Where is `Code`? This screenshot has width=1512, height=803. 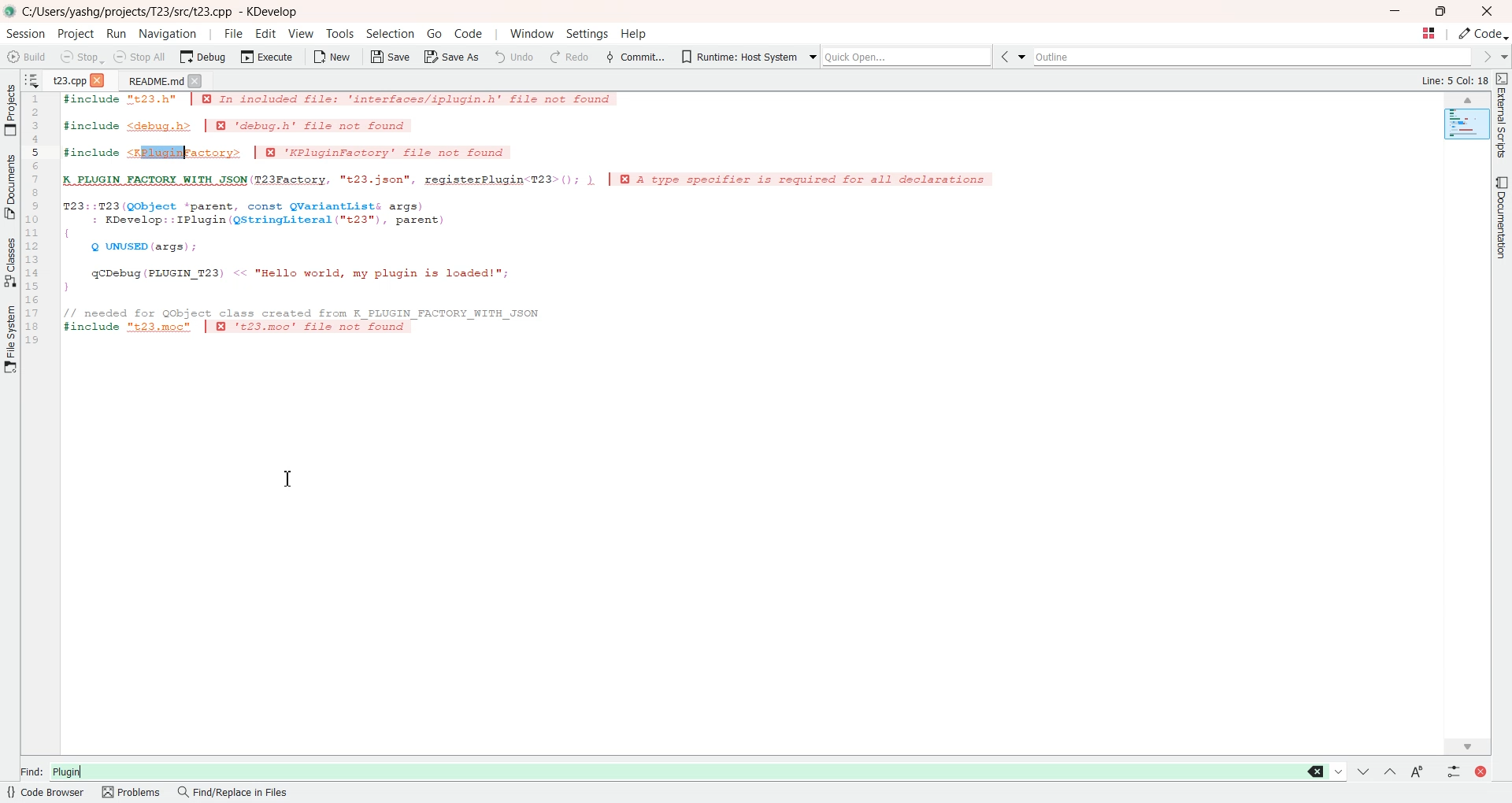 Code is located at coordinates (467, 33).